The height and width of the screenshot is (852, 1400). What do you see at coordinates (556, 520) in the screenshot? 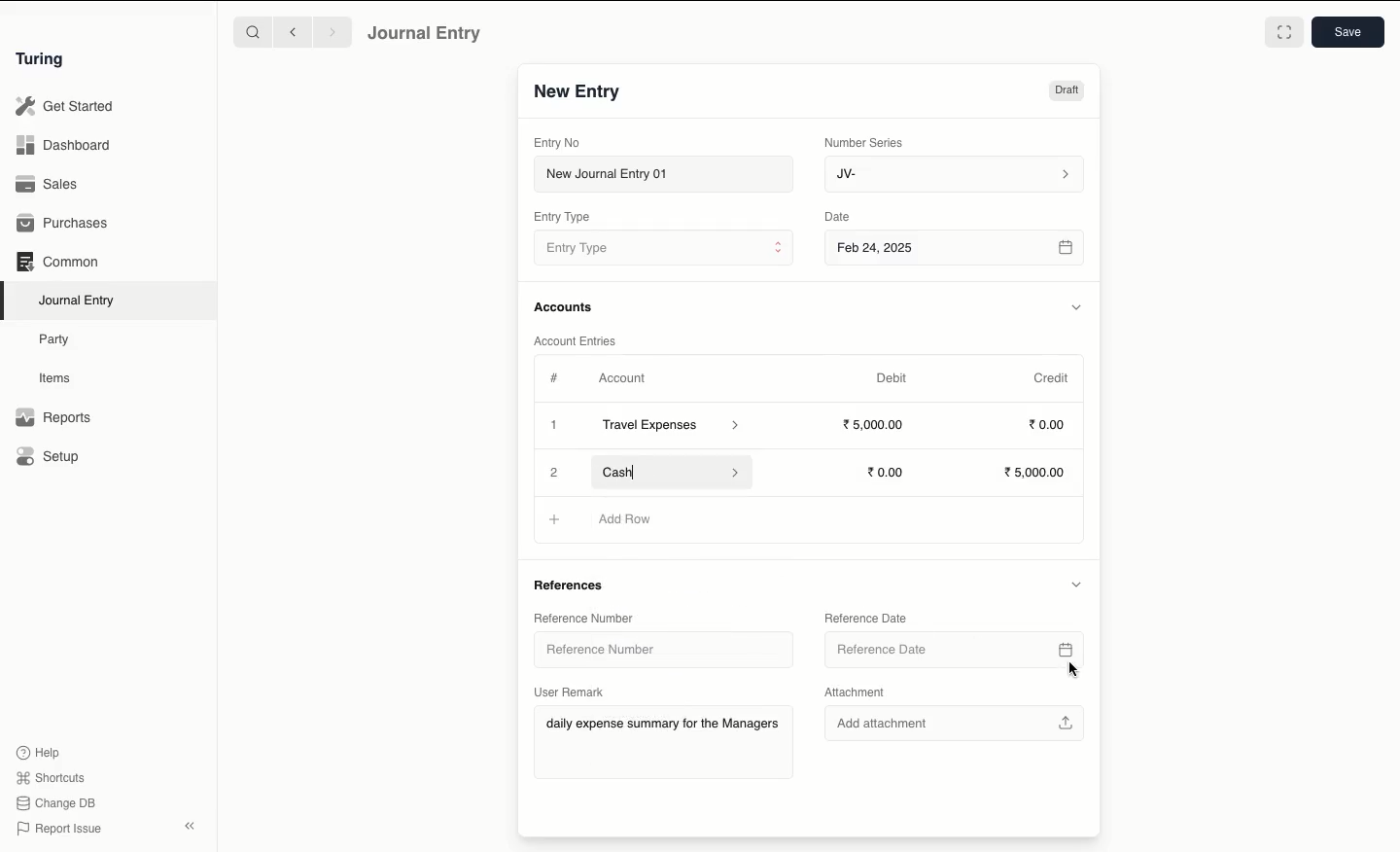
I see `Add` at bounding box center [556, 520].